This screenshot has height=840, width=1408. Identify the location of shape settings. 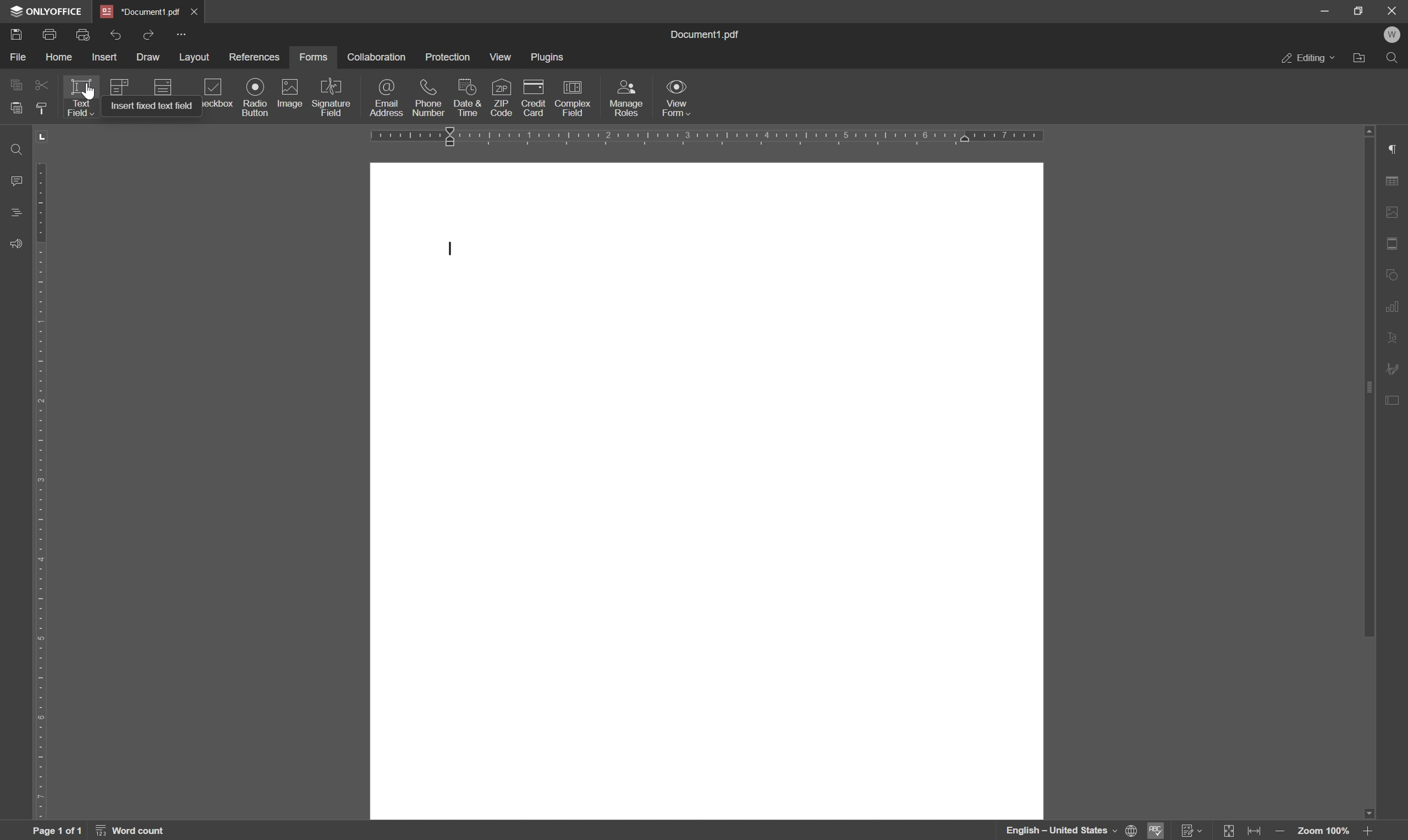
(1393, 274).